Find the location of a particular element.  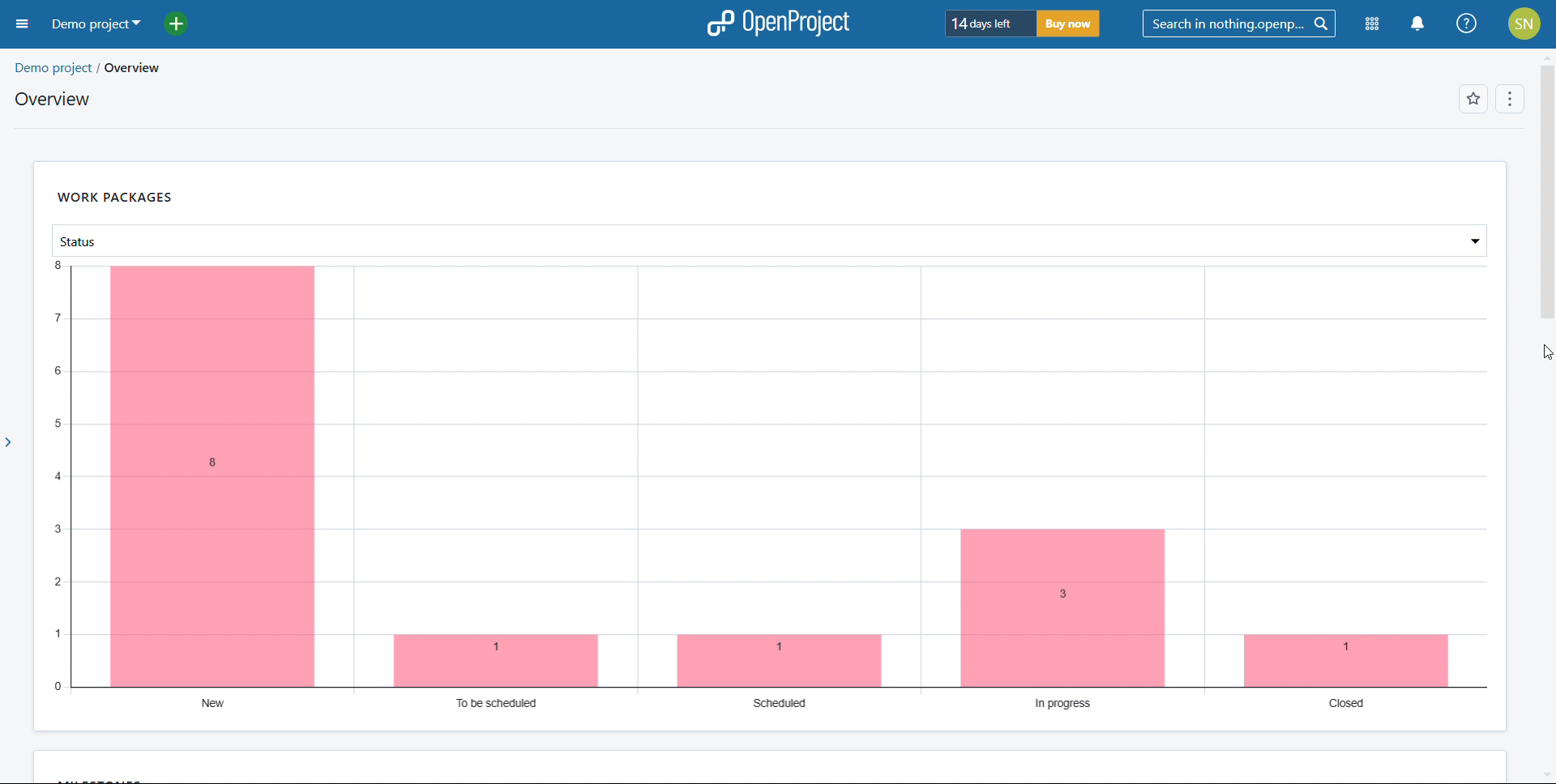

add to favorites is located at coordinates (1473, 99).